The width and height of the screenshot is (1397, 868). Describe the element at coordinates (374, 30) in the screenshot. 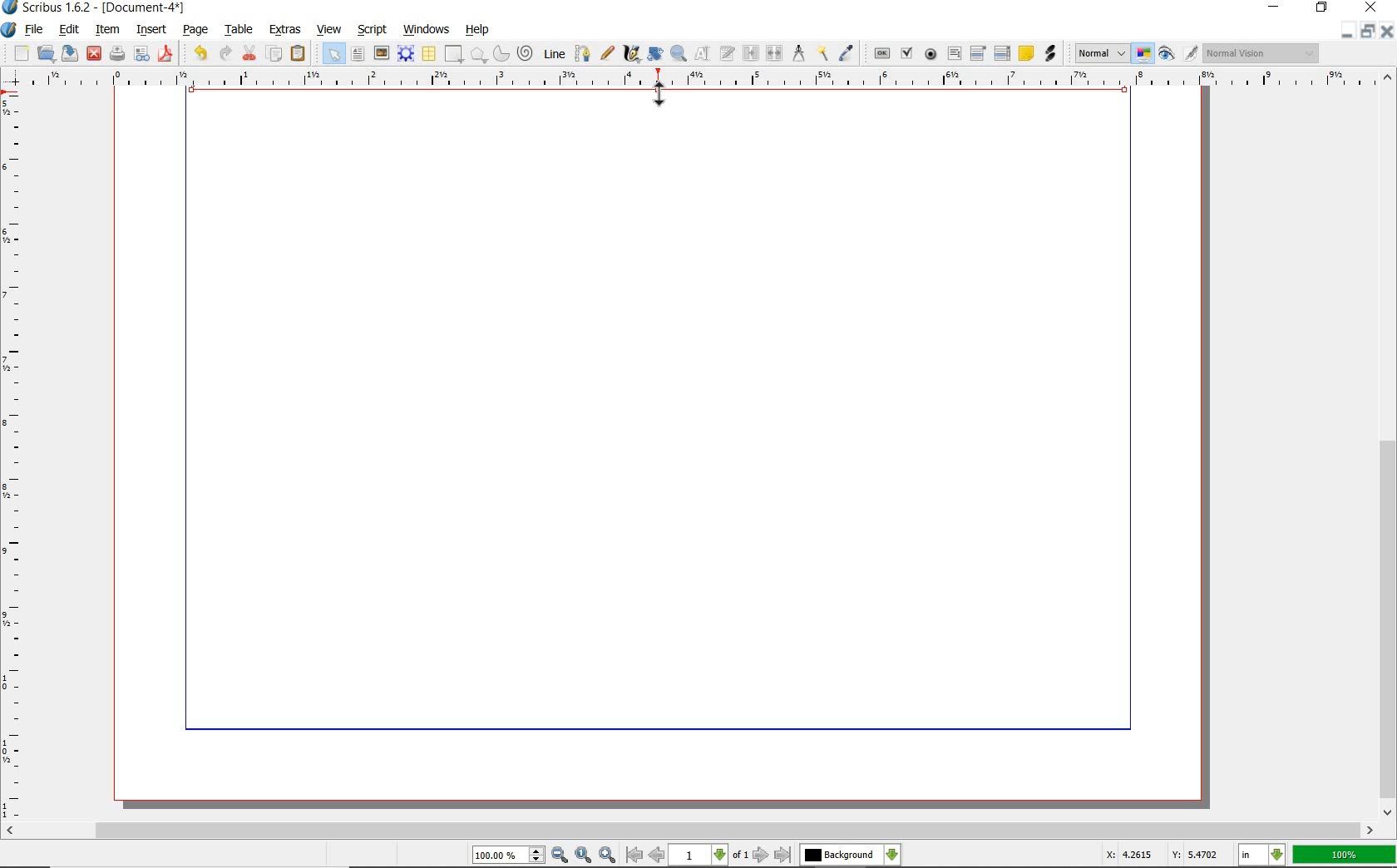

I see `script` at that location.